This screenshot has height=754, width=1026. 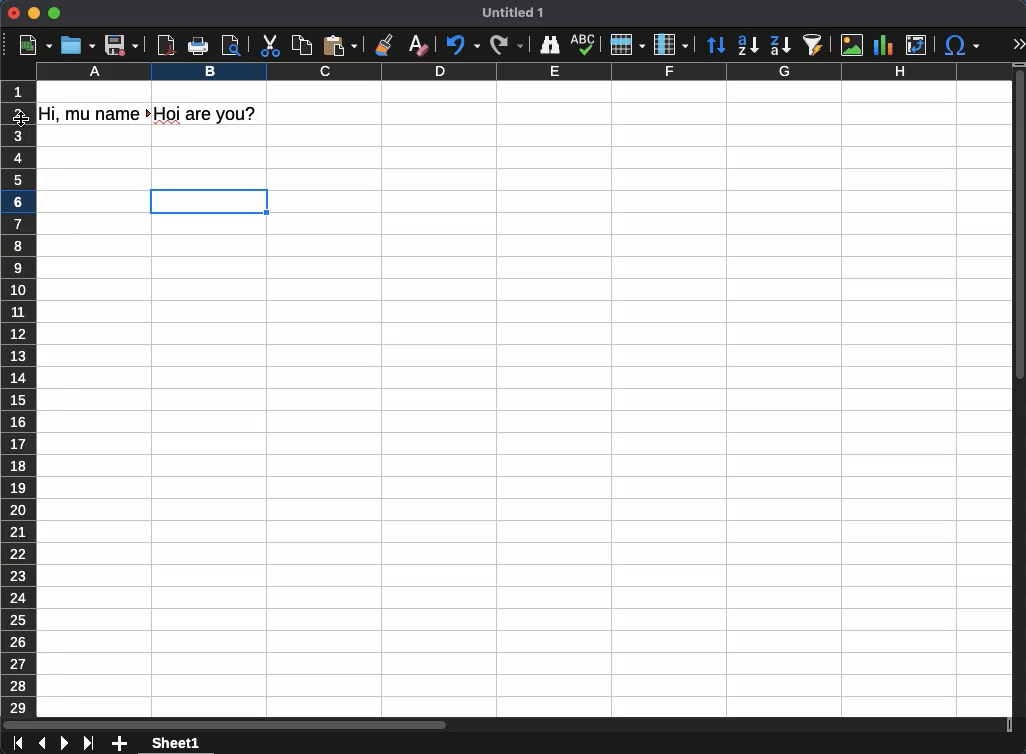 I want to click on last sheet, so click(x=91, y=744).